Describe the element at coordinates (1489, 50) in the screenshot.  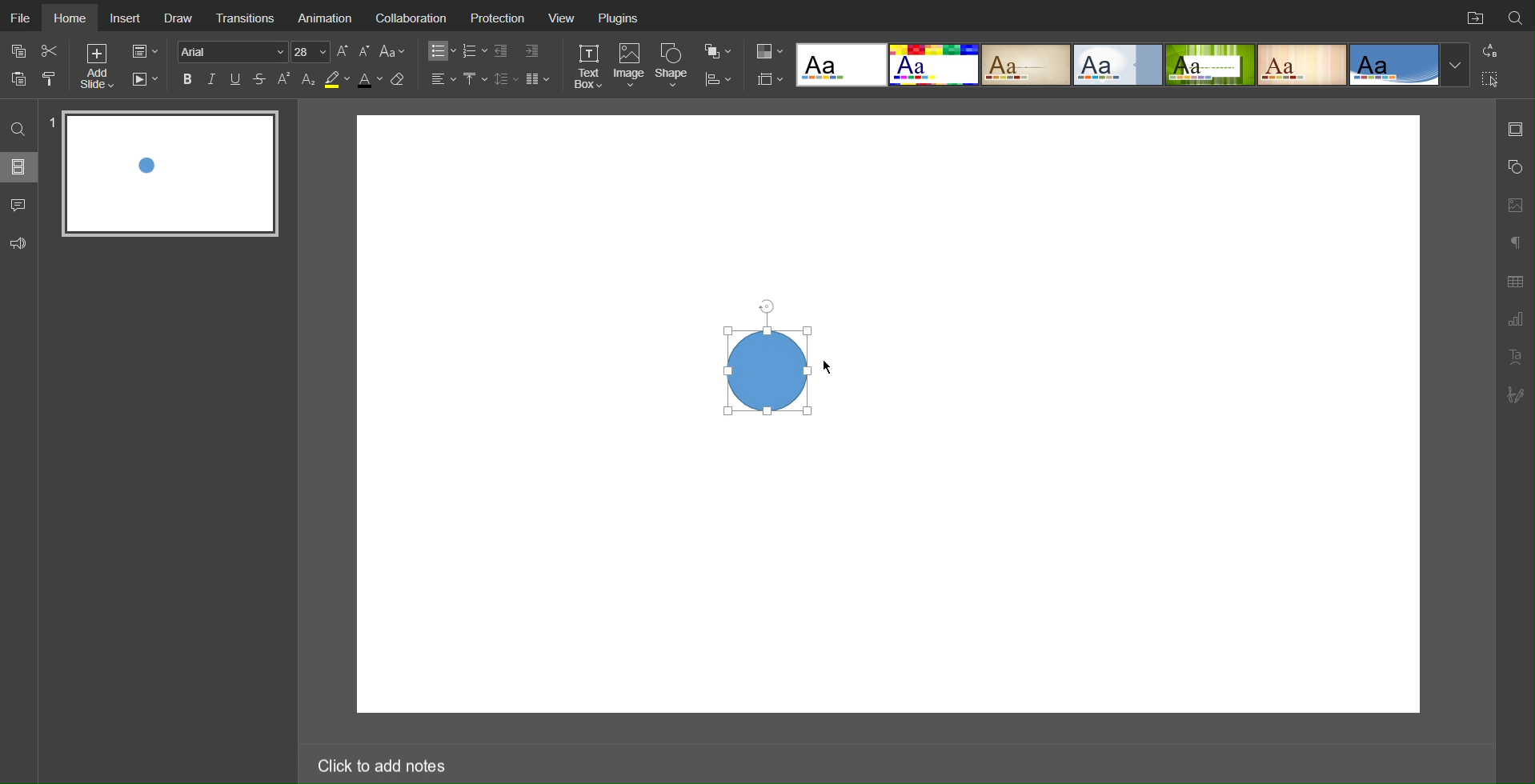
I see `Replace` at that location.